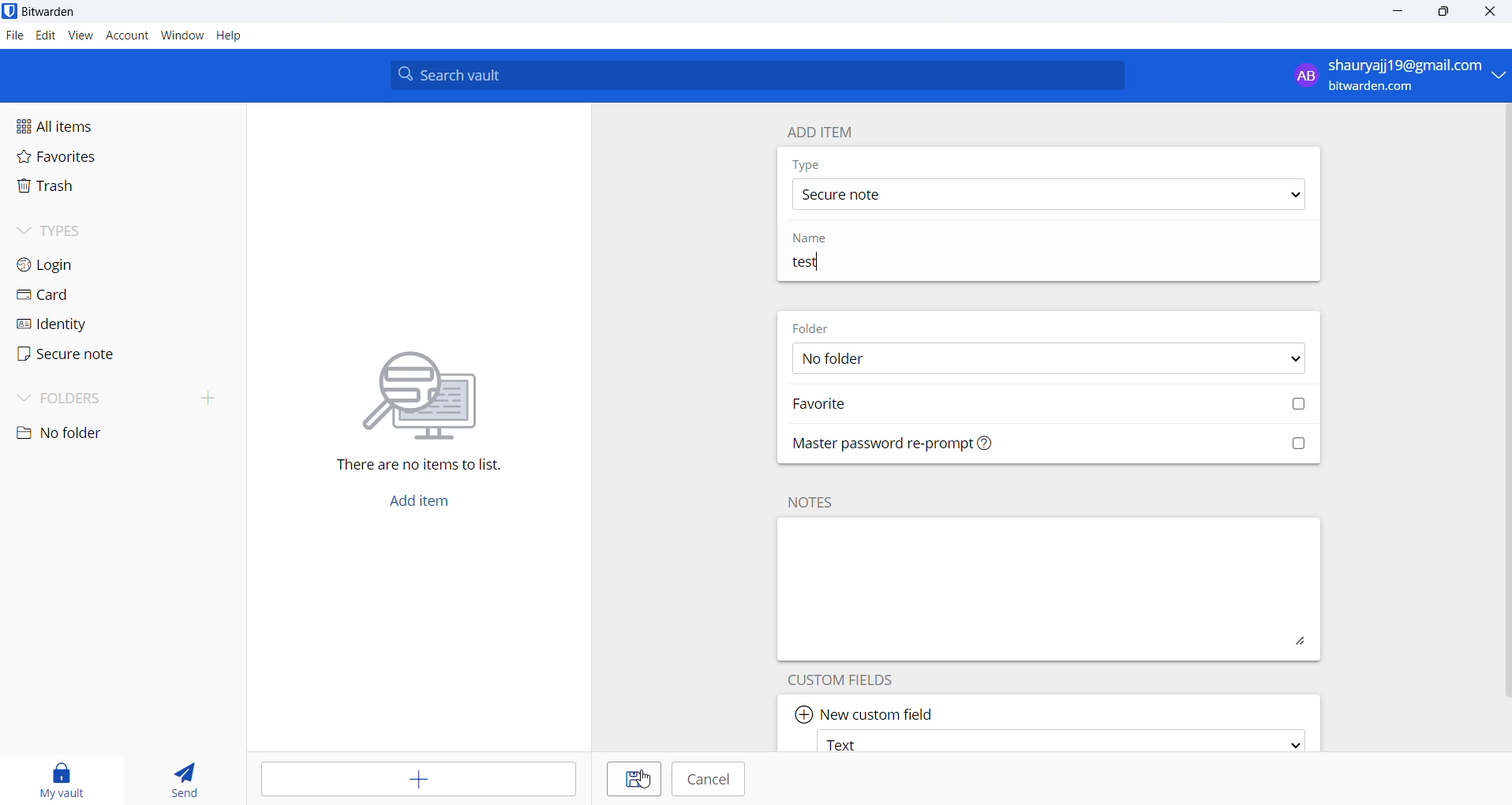  What do you see at coordinates (75, 230) in the screenshot?
I see `types` at bounding box center [75, 230].